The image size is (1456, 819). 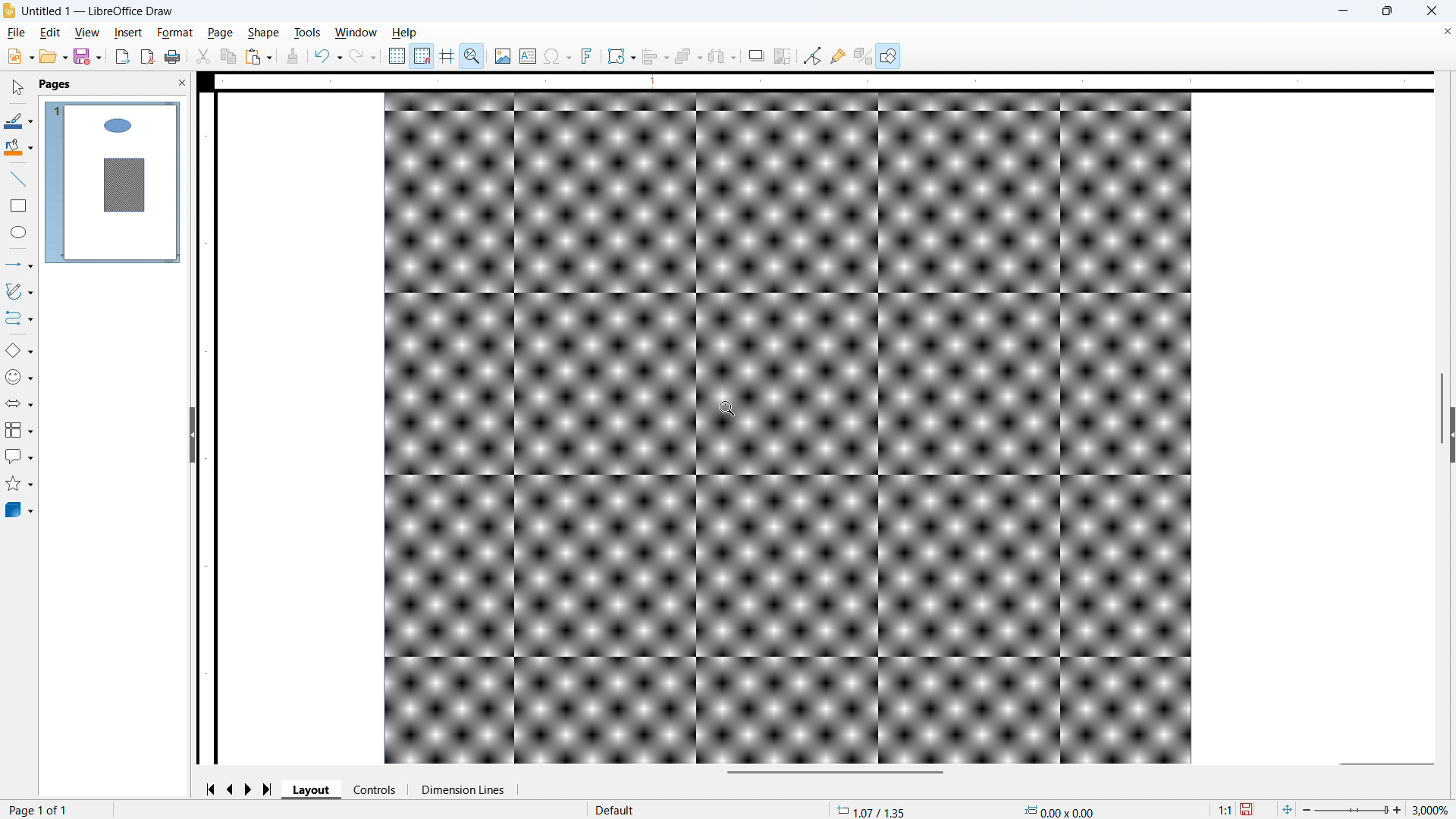 I want to click on Insert symbol , so click(x=557, y=55).